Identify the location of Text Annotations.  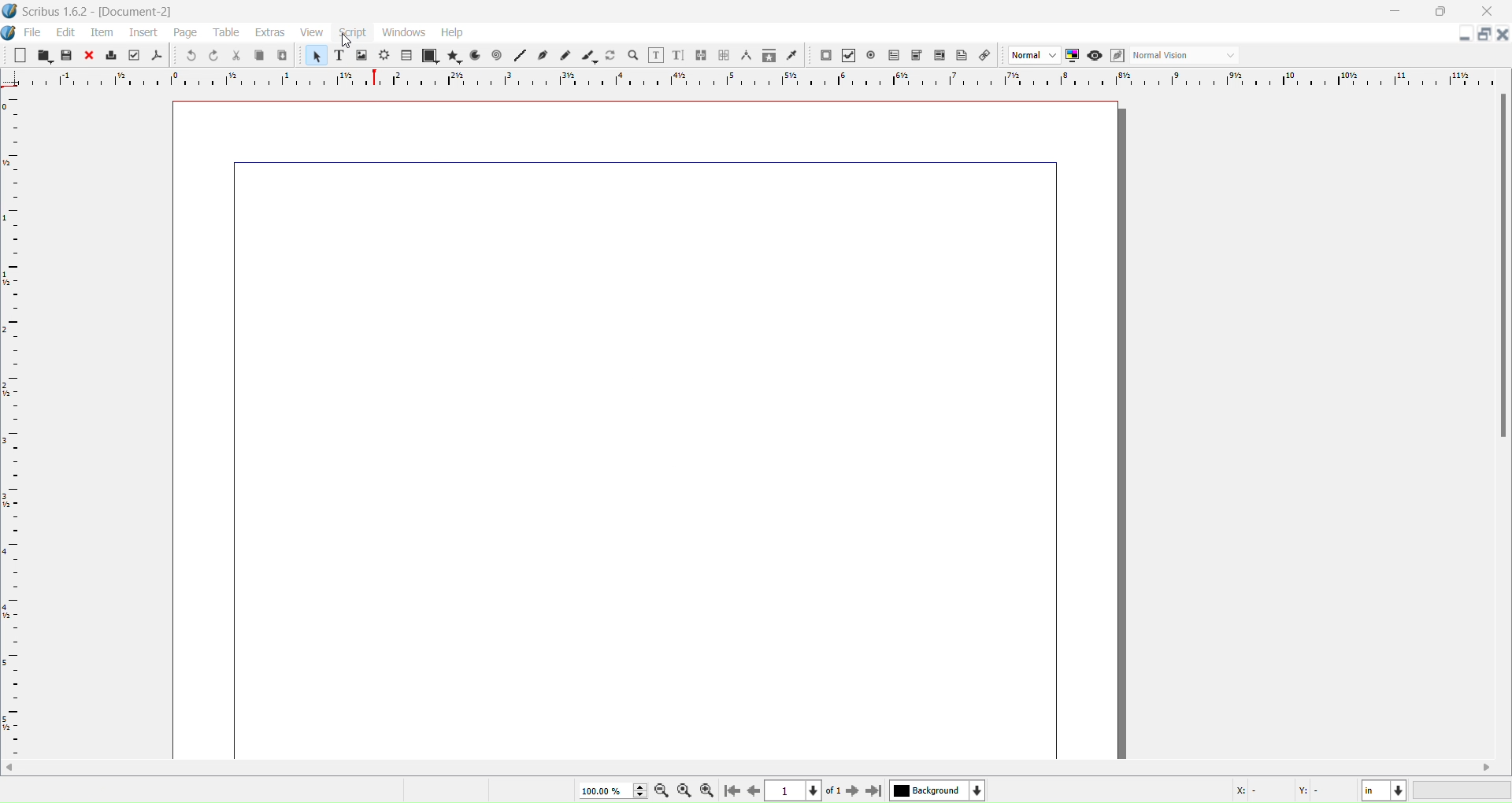
(962, 55).